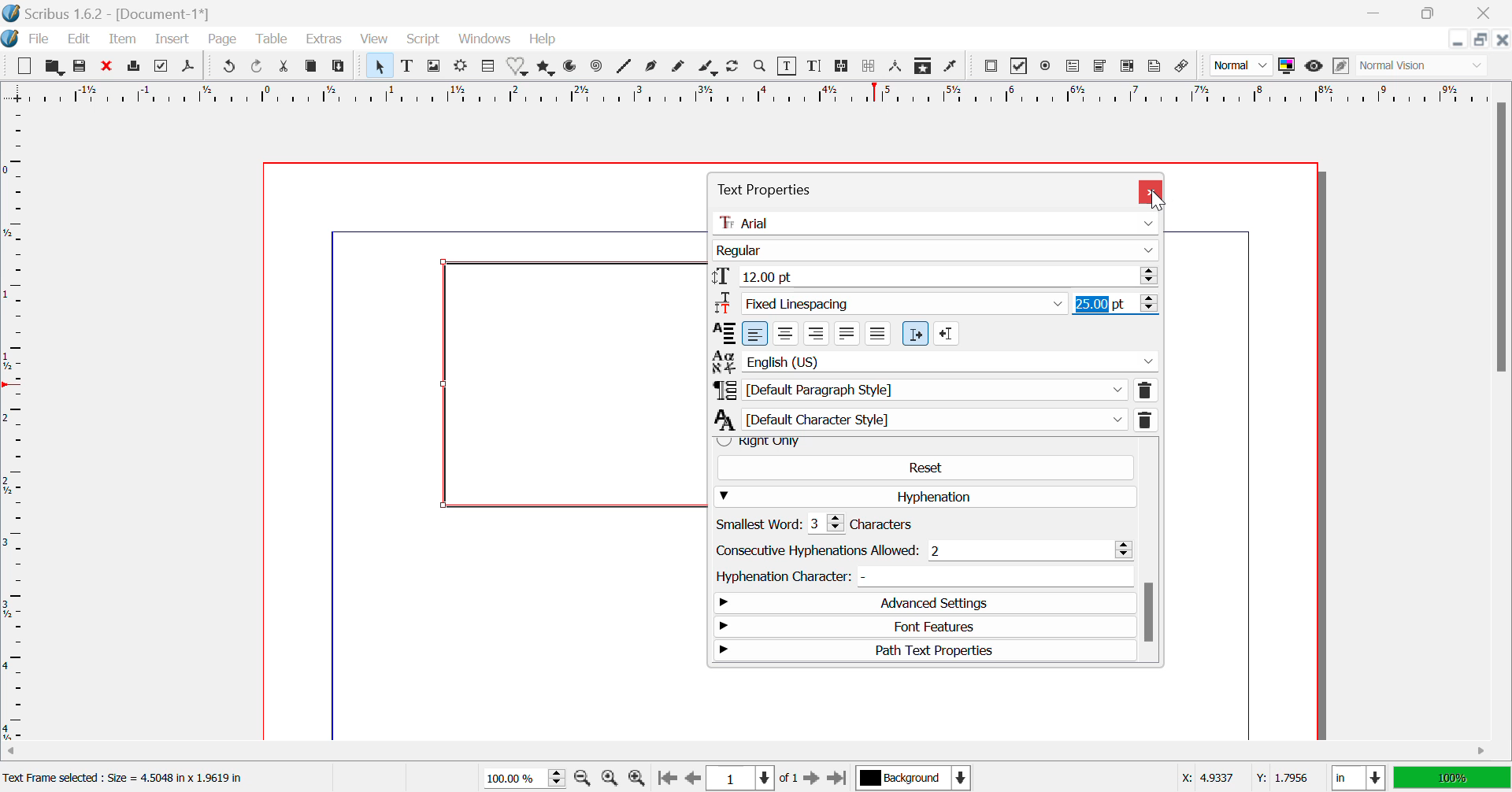  I want to click on Minimize, so click(1482, 40).